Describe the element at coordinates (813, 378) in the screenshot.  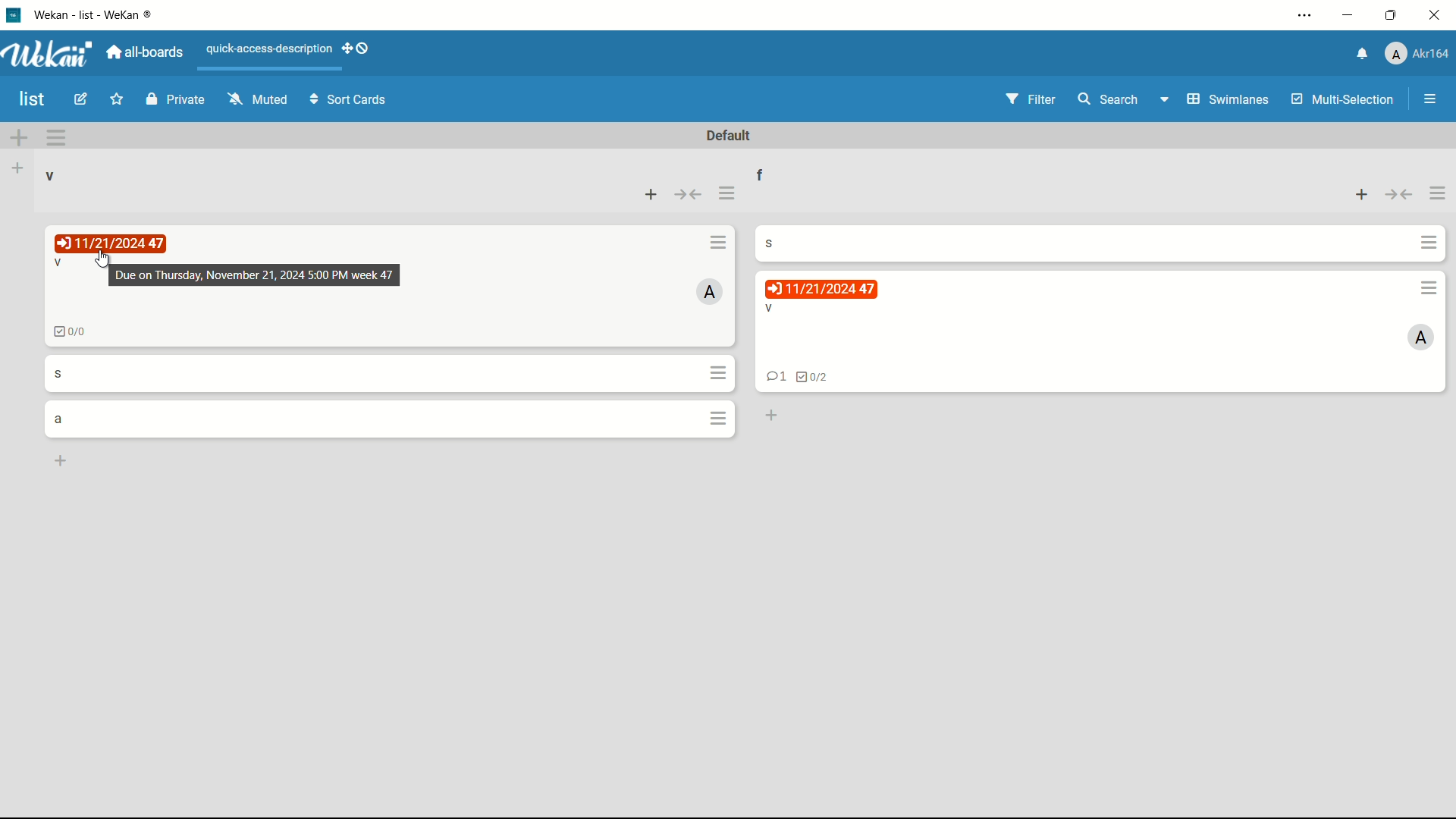
I see `checklist` at that location.